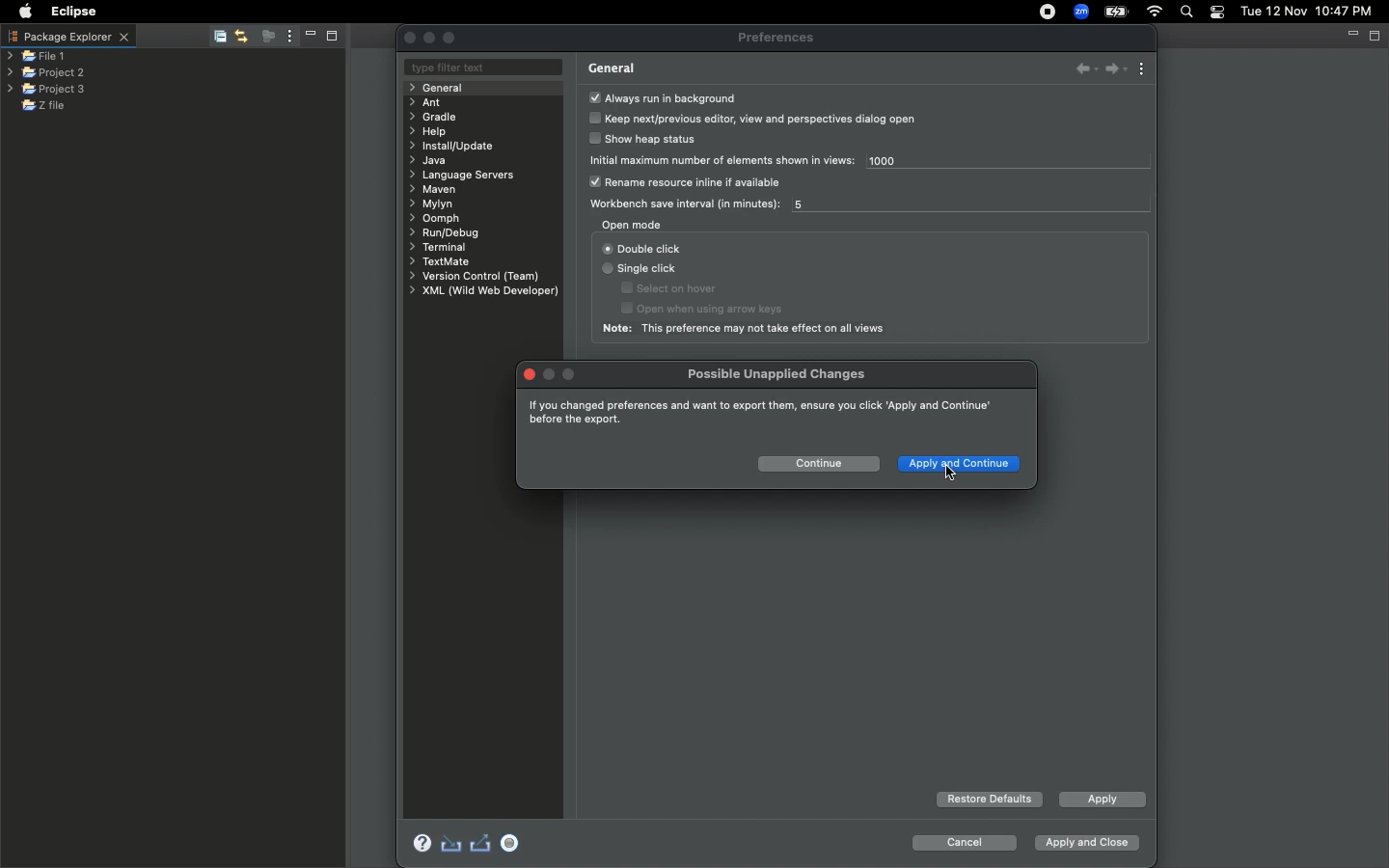  I want to click on Help, so click(417, 841).